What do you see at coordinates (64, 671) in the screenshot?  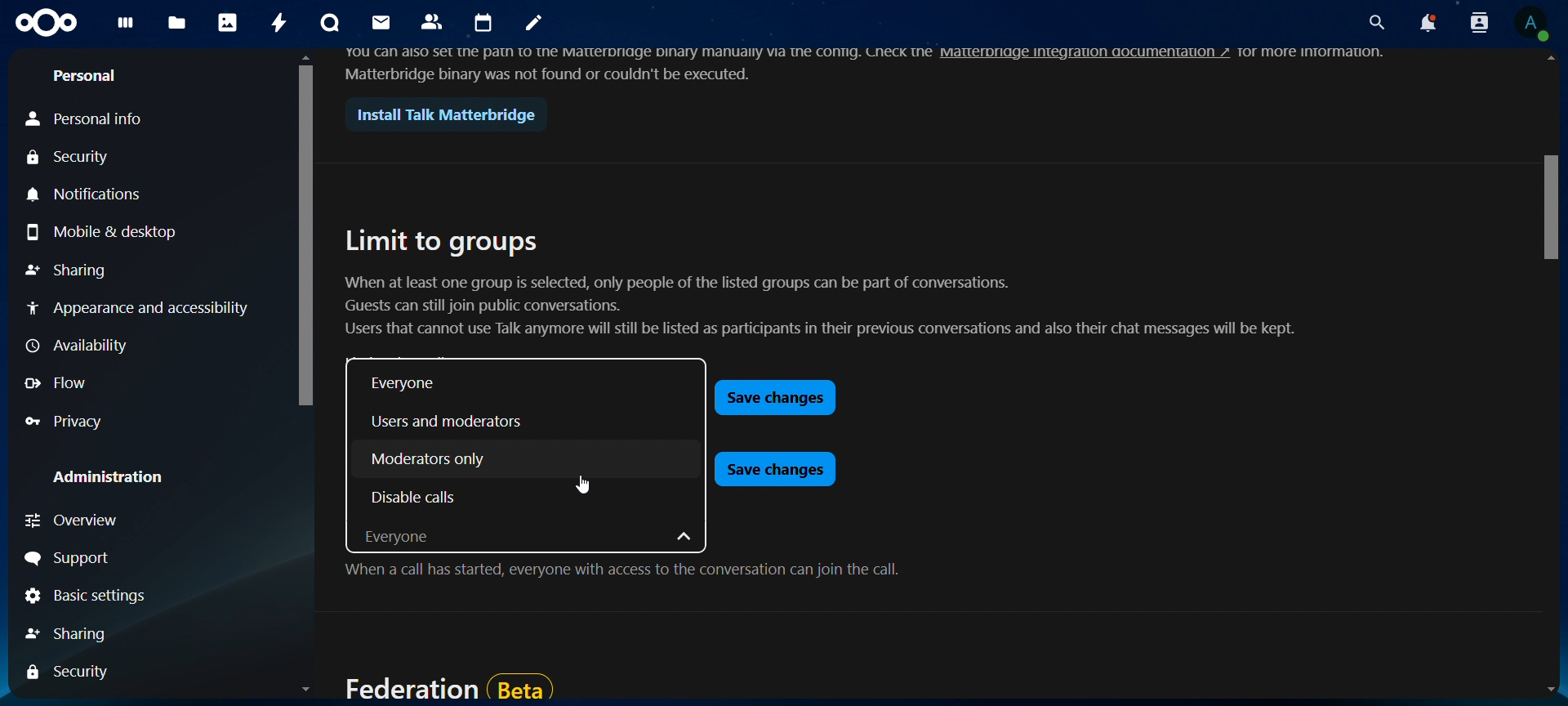 I see `sharing` at bounding box center [64, 671].